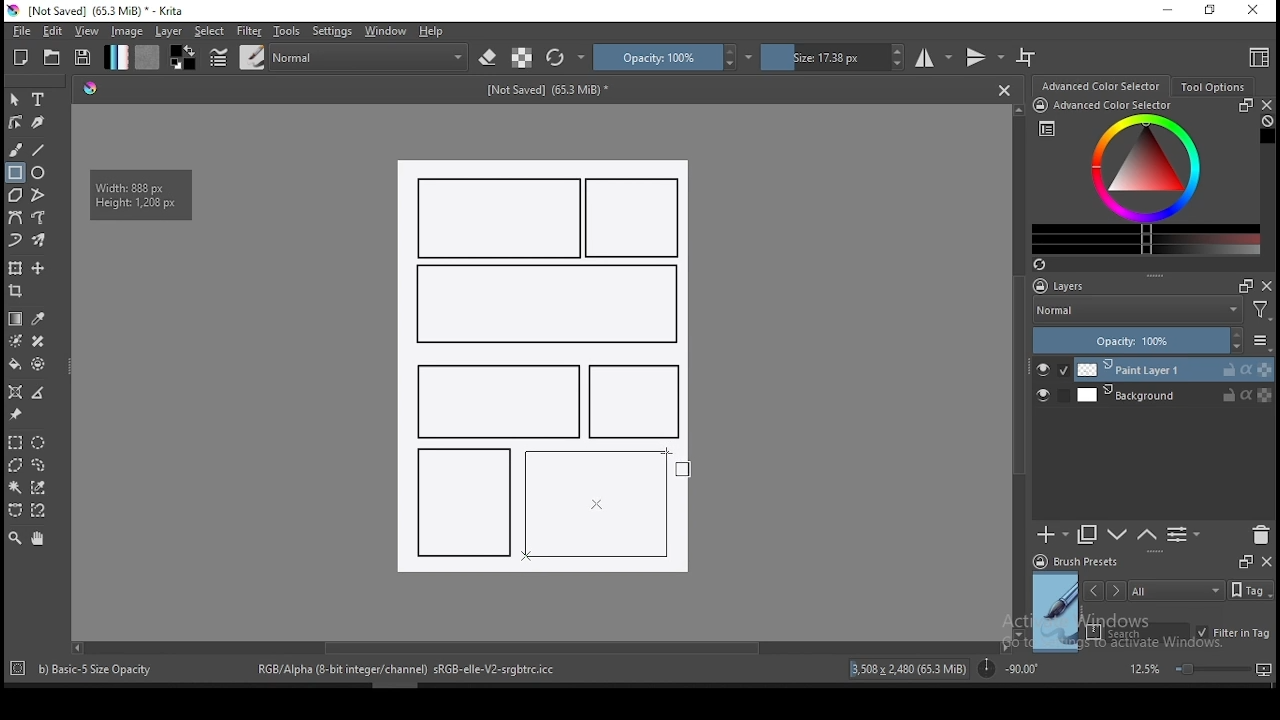  What do you see at coordinates (1138, 632) in the screenshot?
I see `search` at bounding box center [1138, 632].